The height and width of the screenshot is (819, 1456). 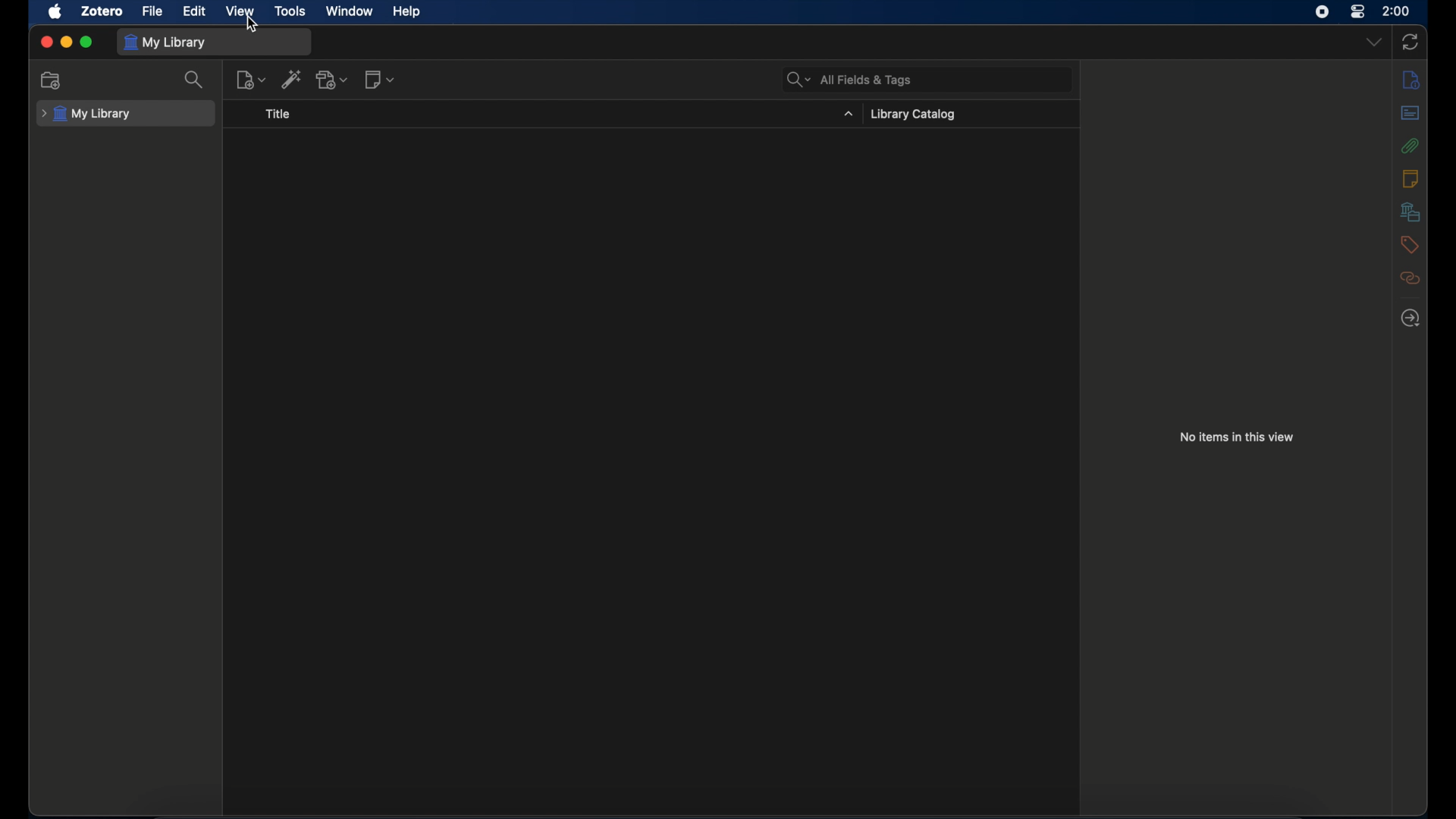 What do you see at coordinates (293, 79) in the screenshot?
I see `add item by identifier` at bounding box center [293, 79].